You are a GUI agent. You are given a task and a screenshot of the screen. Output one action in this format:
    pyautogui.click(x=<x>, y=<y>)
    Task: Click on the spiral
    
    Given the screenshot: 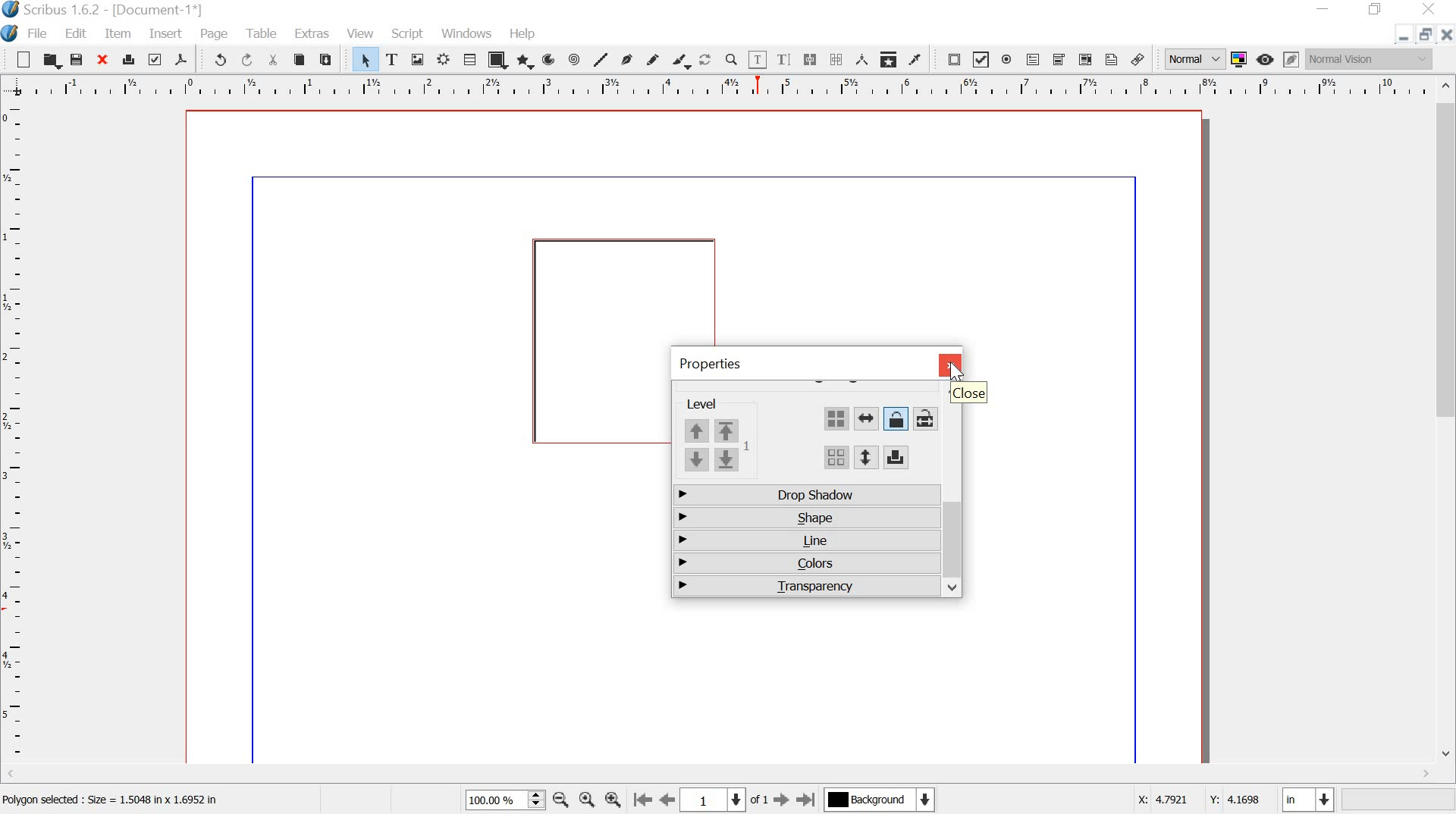 What is the action you would take?
    pyautogui.click(x=577, y=59)
    